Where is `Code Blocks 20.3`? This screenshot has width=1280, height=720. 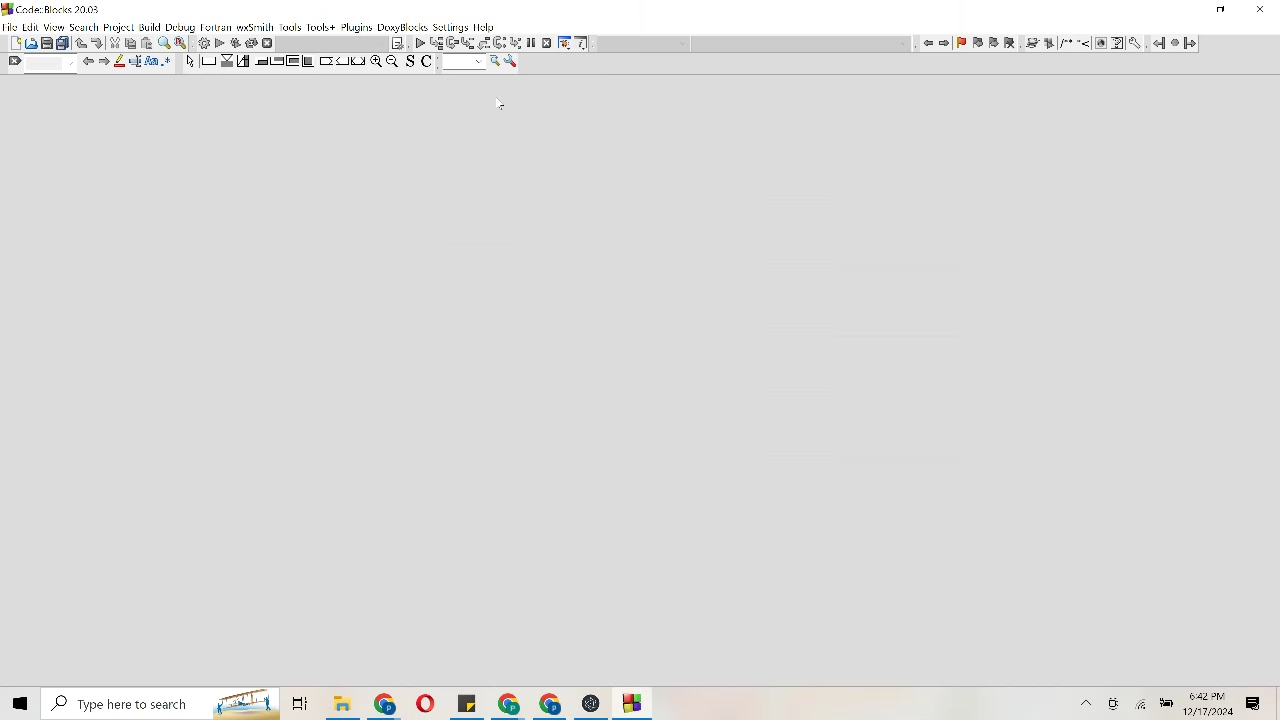 Code Blocks 20.3 is located at coordinates (50, 8).